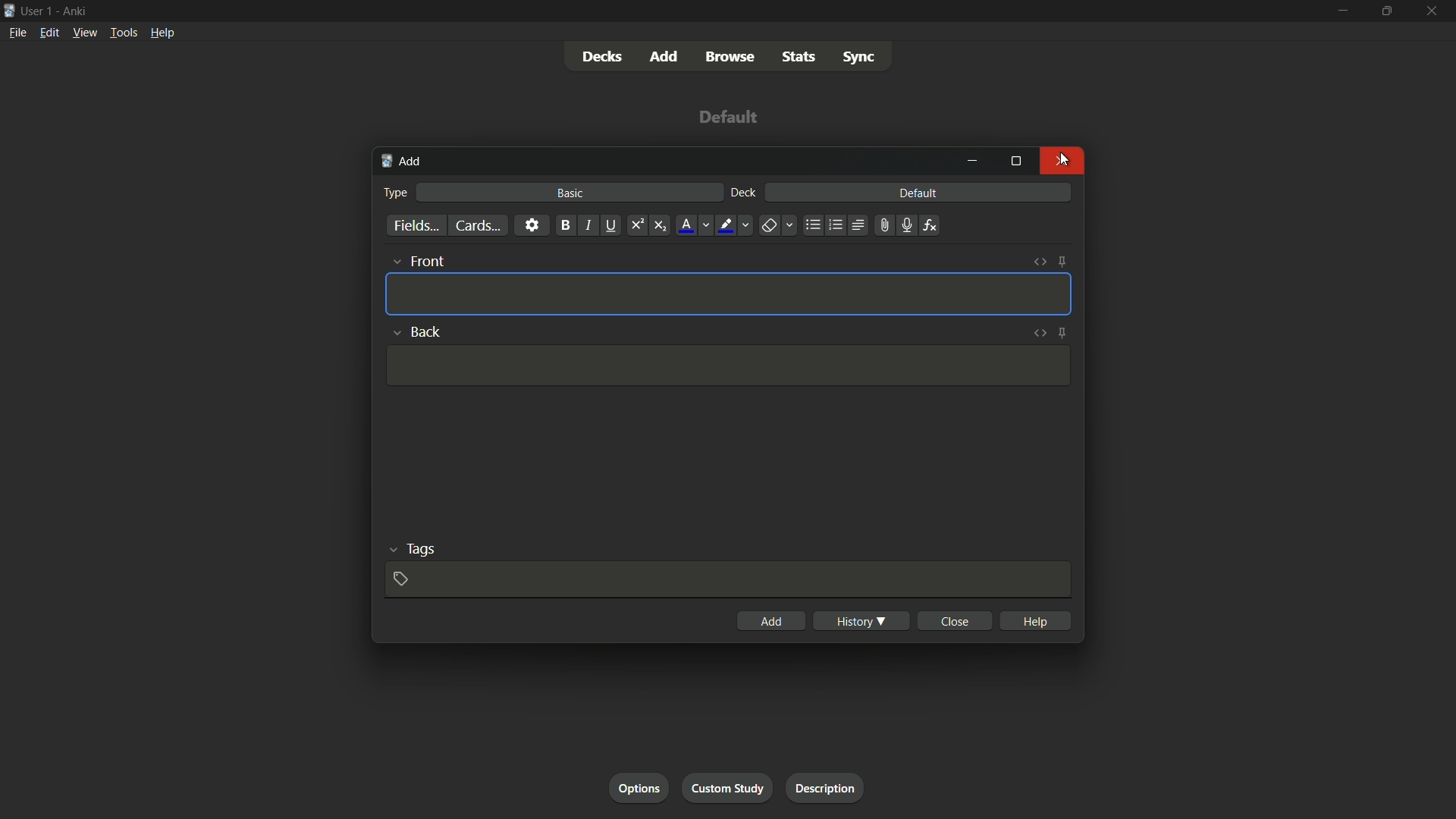 This screenshot has width=1456, height=819. Describe the element at coordinates (1065, 260) in the screenshot. I see `toggle sticky` at that location.